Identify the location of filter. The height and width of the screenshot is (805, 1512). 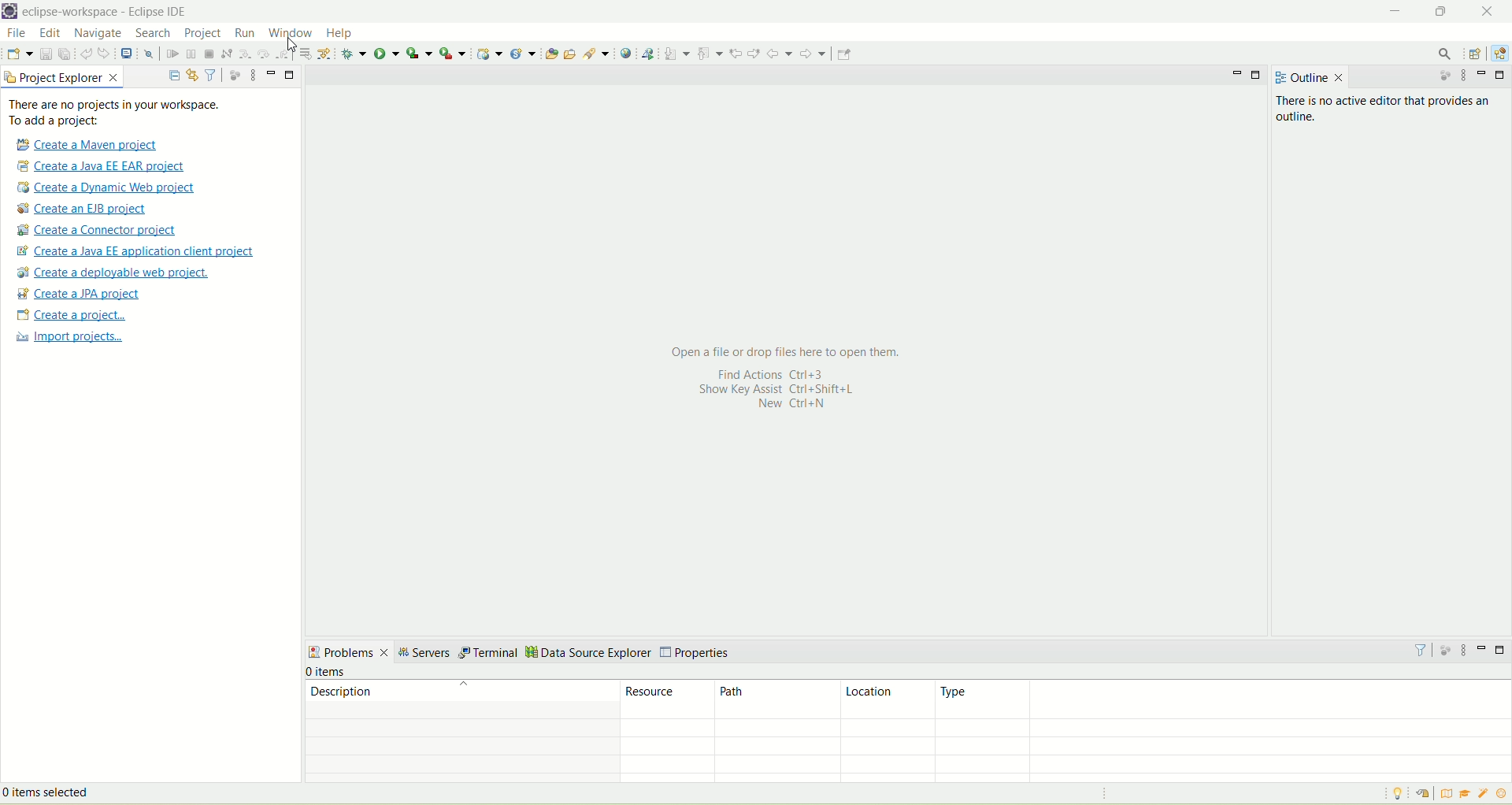
(211, 75).